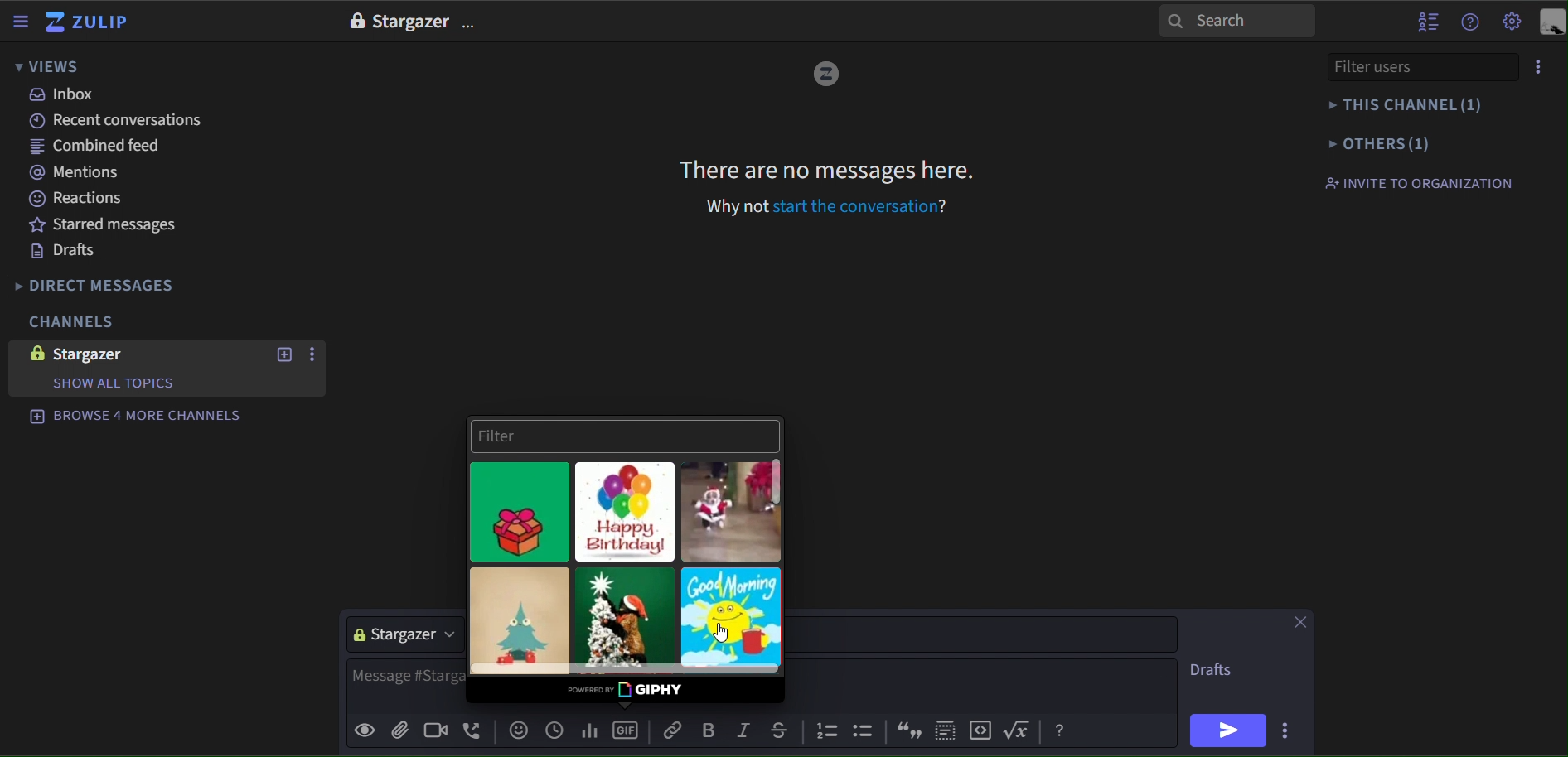  Describe the element at coordinates (983, 730) in the screenshot. I see `icon` at that location.